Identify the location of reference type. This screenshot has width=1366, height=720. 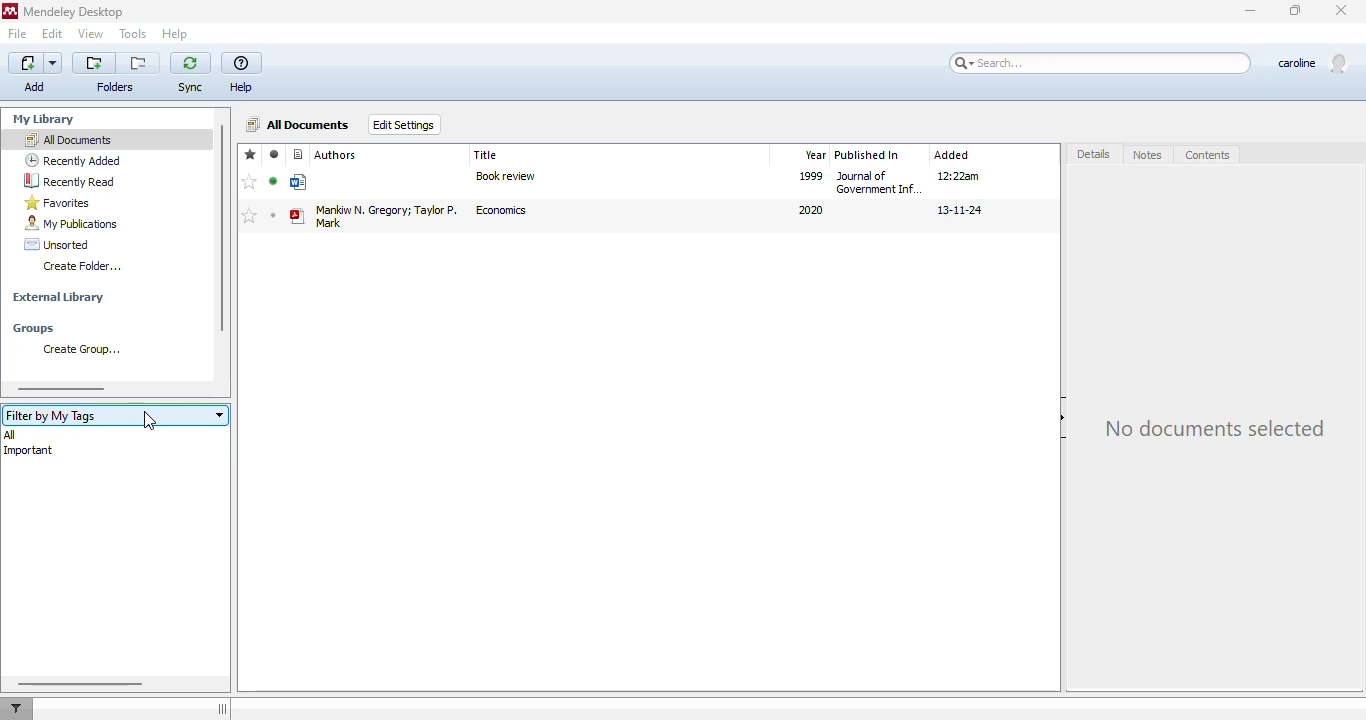
(299, 154).